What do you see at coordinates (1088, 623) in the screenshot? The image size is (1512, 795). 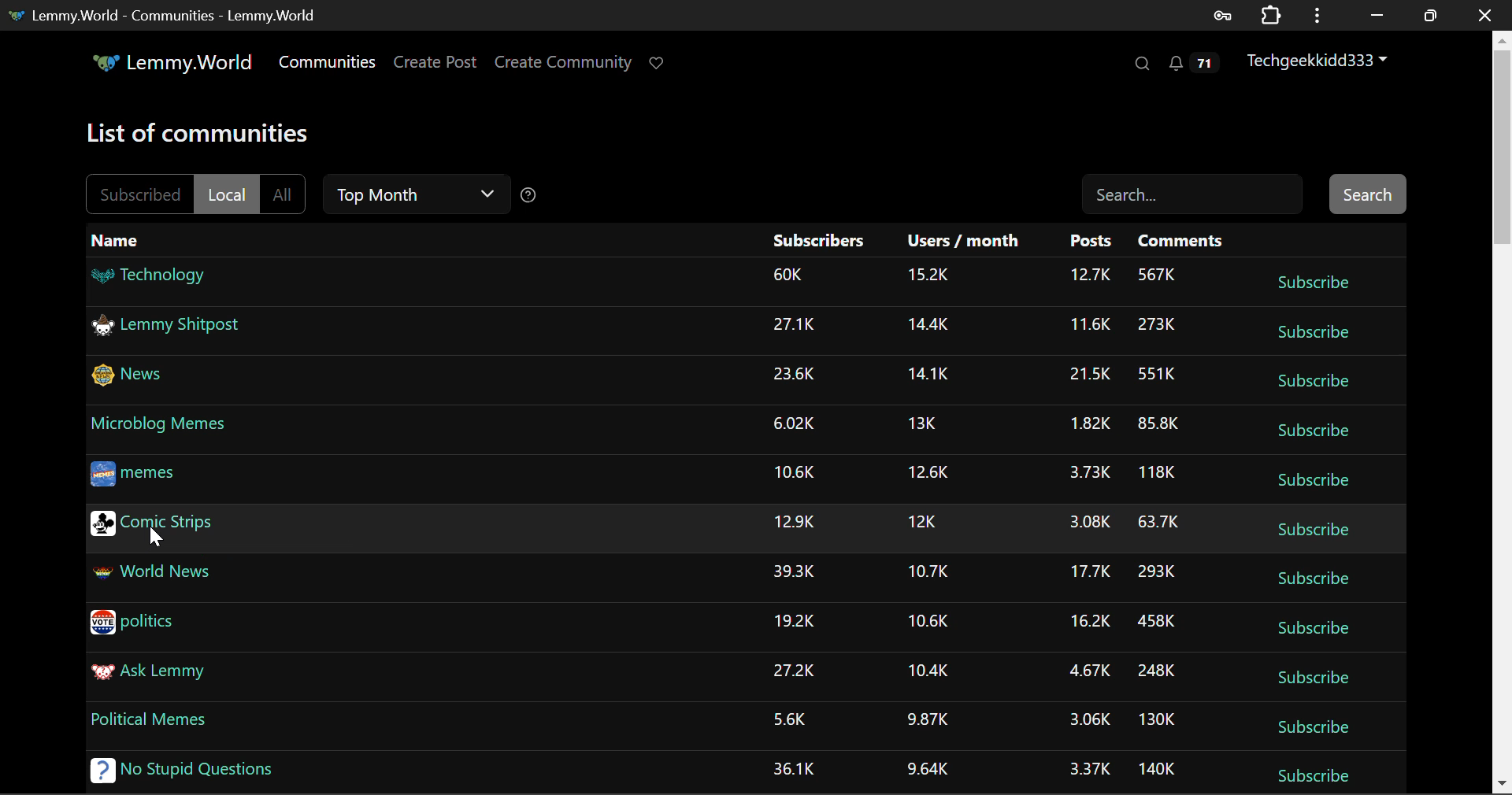 I see `16.2K` at bounding box center [1088, 623].